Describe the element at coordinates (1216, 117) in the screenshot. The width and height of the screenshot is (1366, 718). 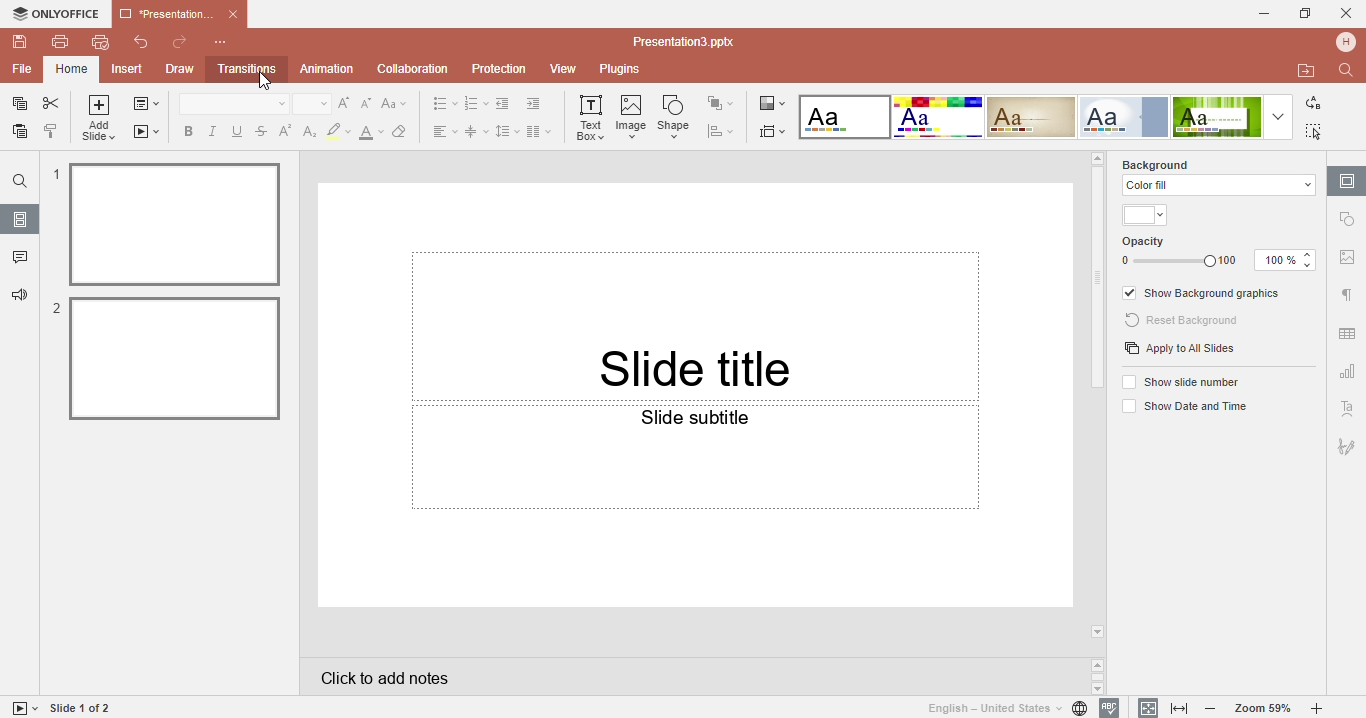
I see `Green leaf` at that location.